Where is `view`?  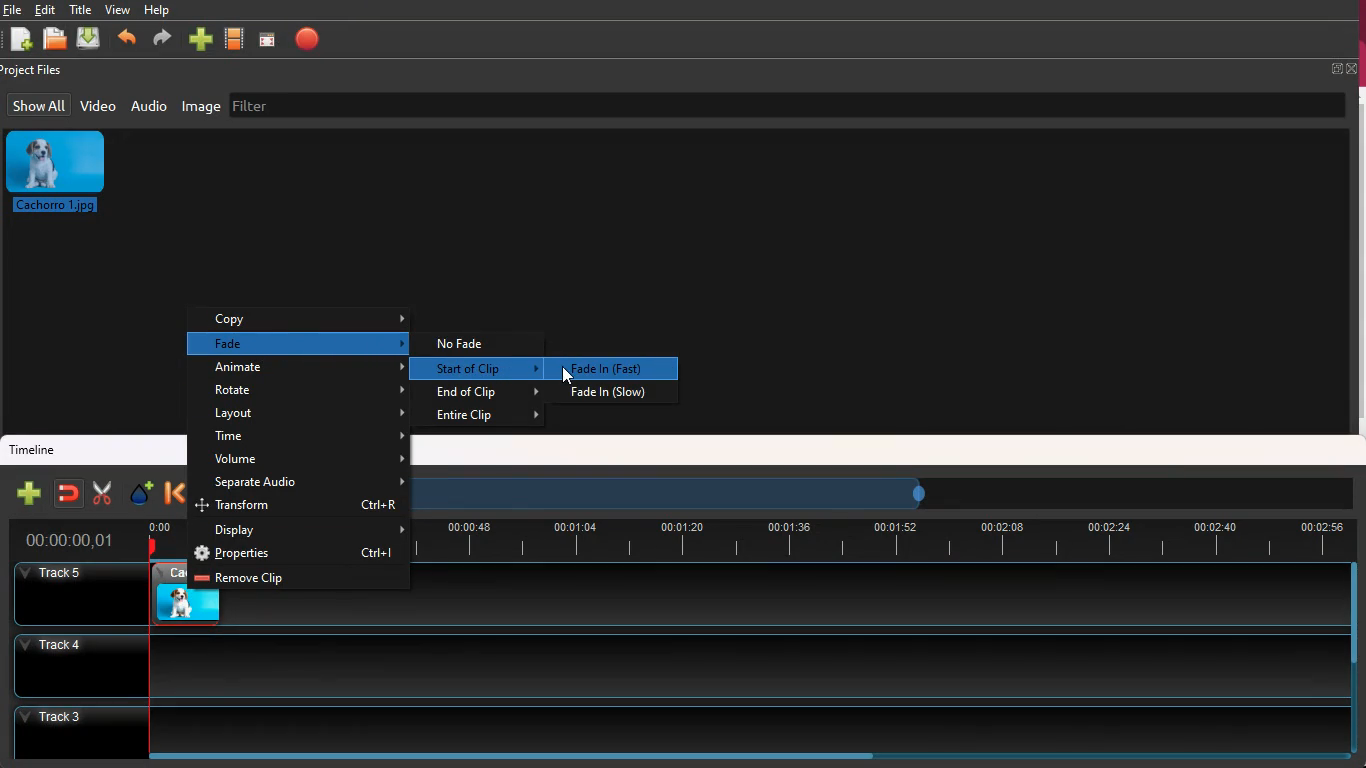
view is located at coordinates (120, 10).